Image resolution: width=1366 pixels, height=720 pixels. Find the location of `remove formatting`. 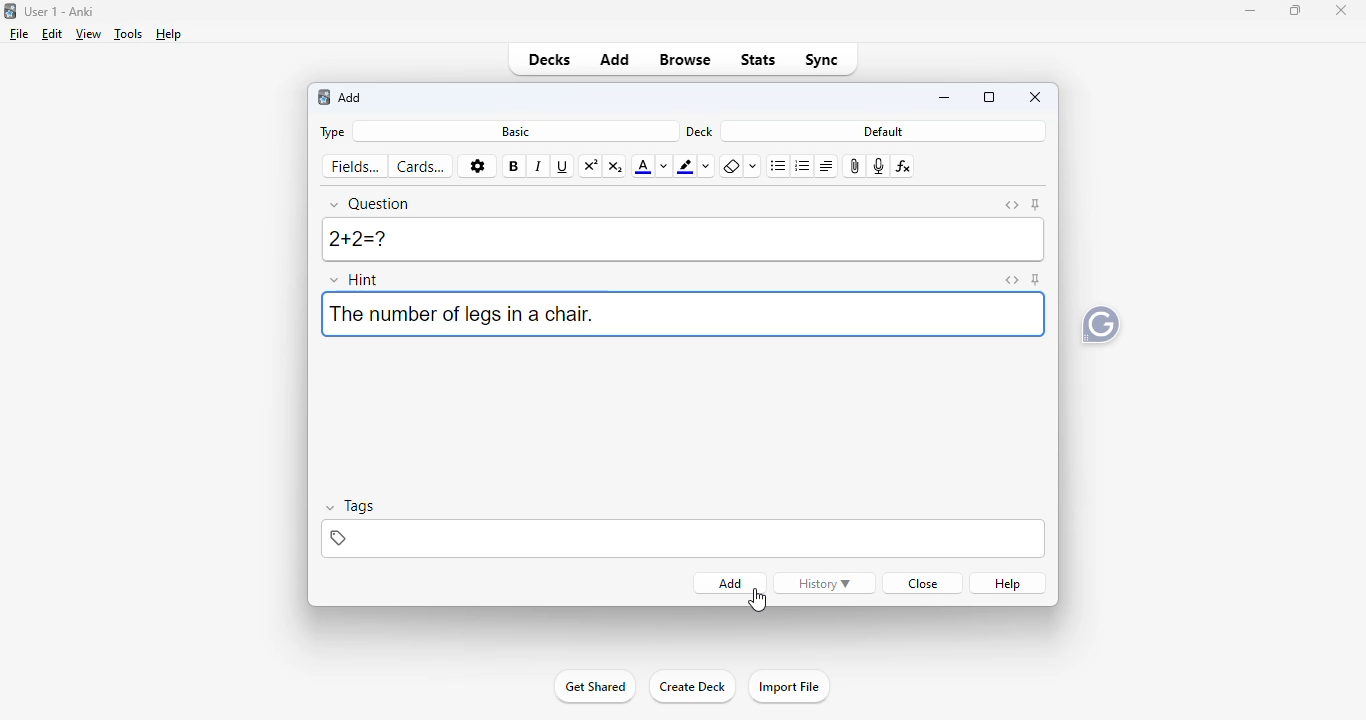

remove formatting is located at coordinates (733, 166).